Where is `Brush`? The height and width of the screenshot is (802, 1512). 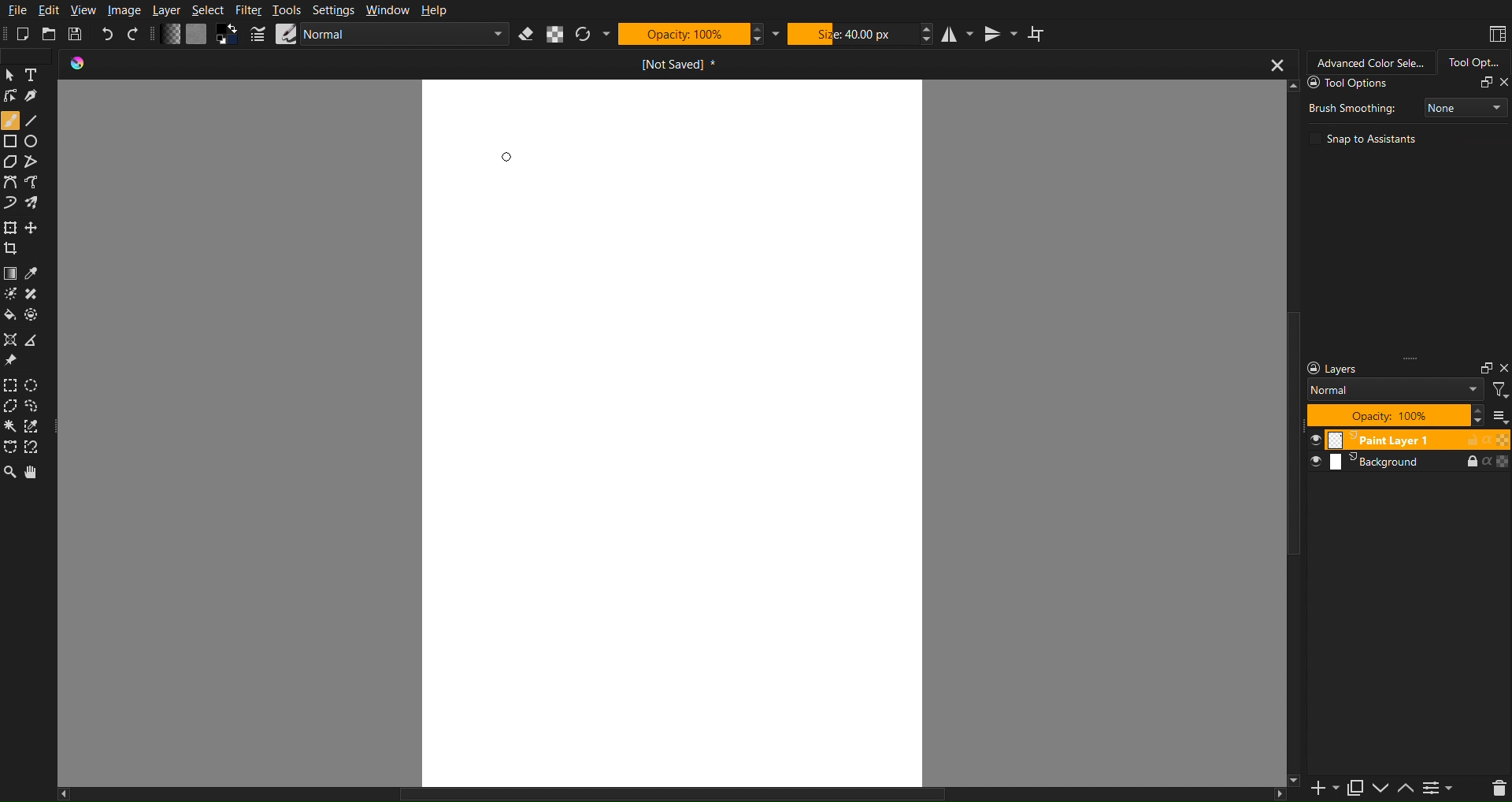 Brush is located at coordinates (36, 204).